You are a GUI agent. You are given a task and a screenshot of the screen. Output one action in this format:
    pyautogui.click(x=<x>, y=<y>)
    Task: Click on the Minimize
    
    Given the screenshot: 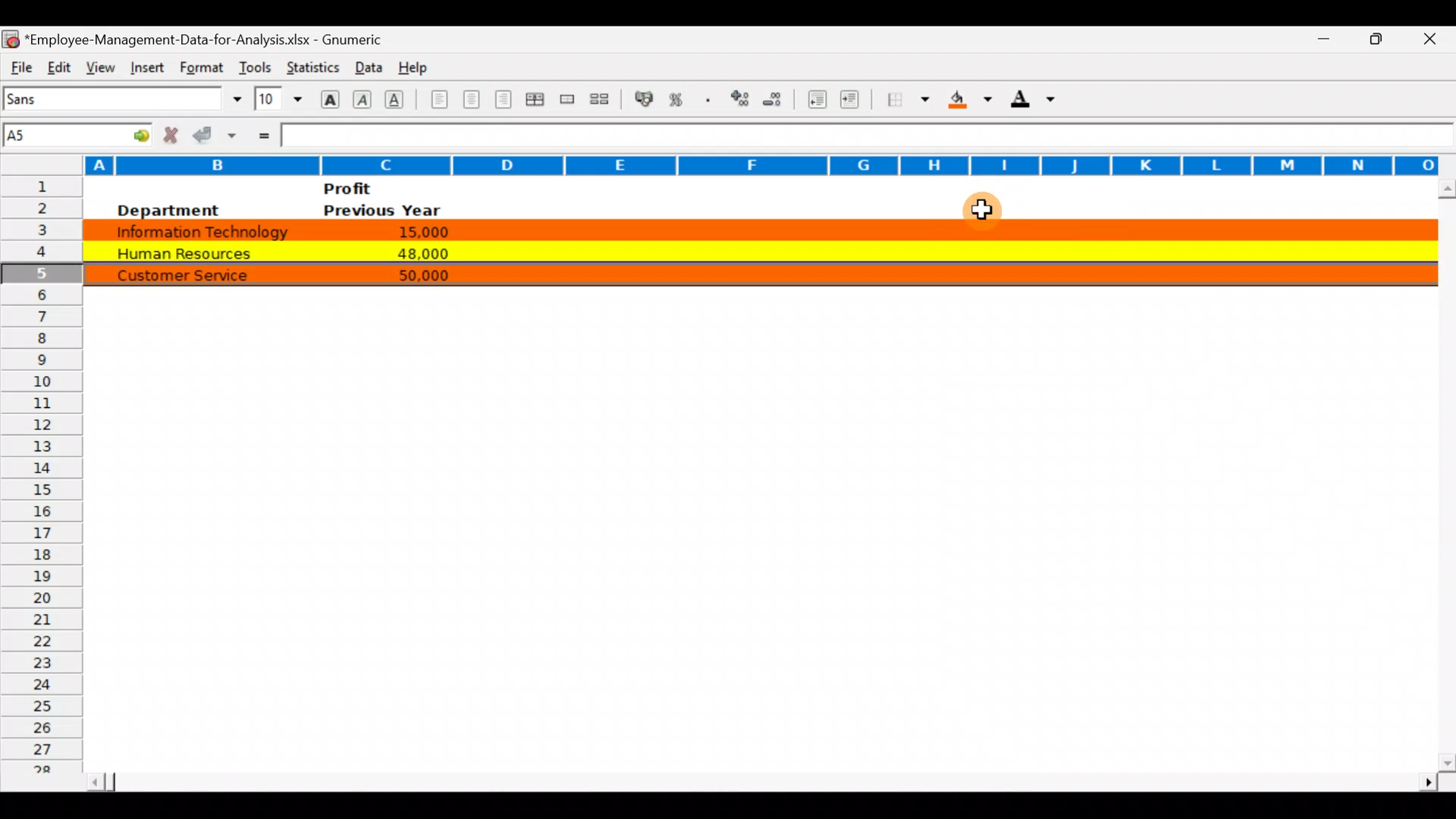 What is the action you would take?
    pyautogui.click(x=1315, y=39)
    